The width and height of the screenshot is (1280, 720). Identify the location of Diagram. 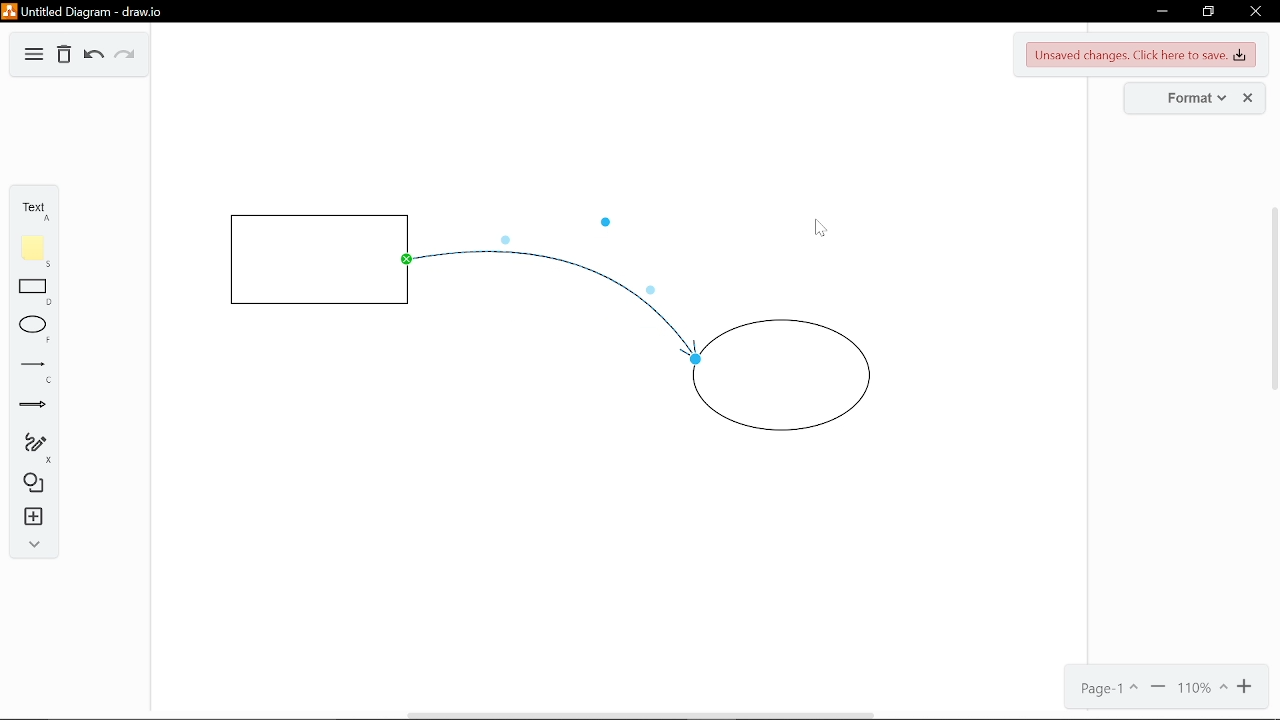
(31, 56).